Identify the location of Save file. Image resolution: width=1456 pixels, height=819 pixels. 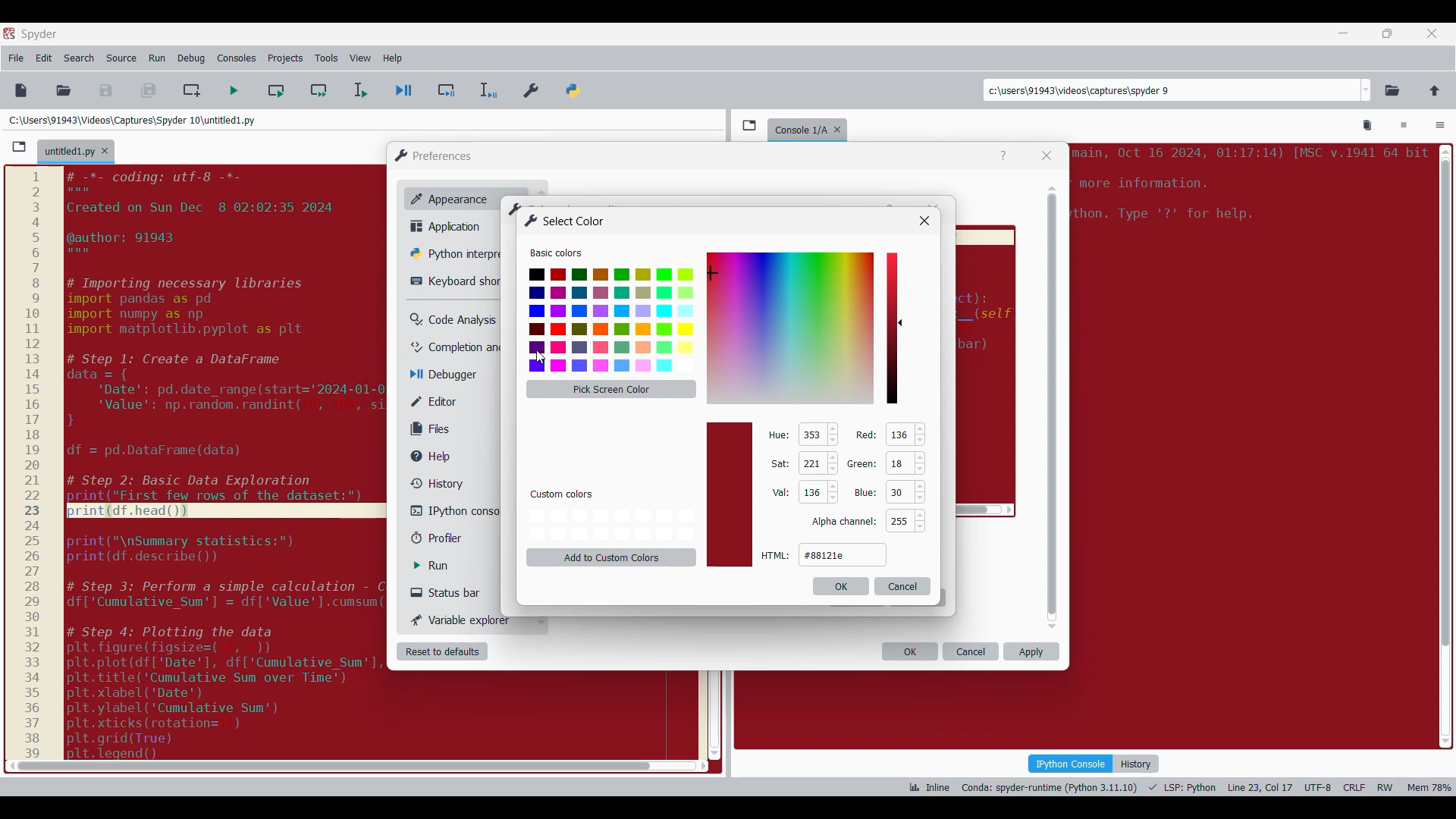
(107, 90).